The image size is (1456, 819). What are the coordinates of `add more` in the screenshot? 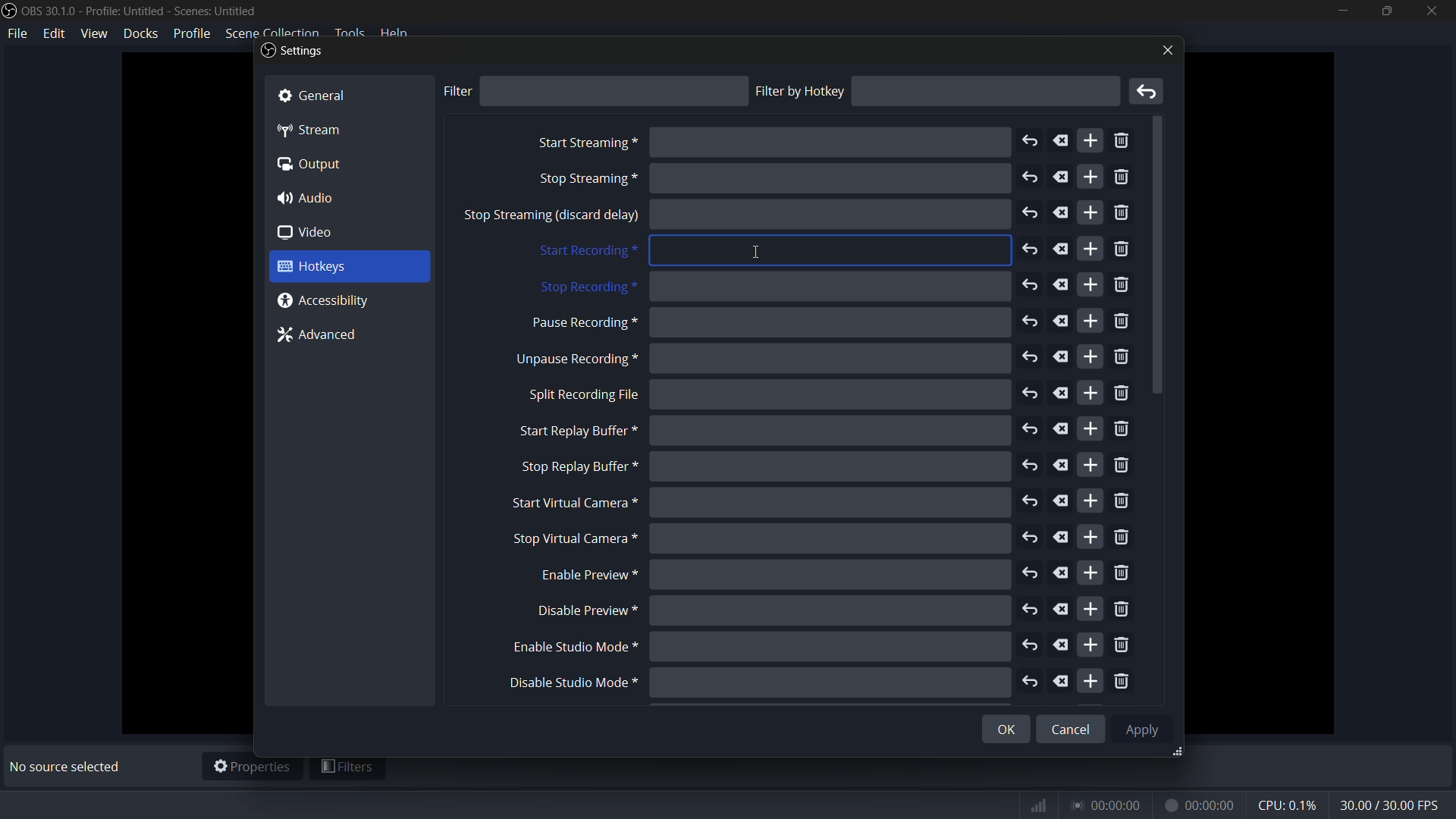 It's located at (1090, 142).